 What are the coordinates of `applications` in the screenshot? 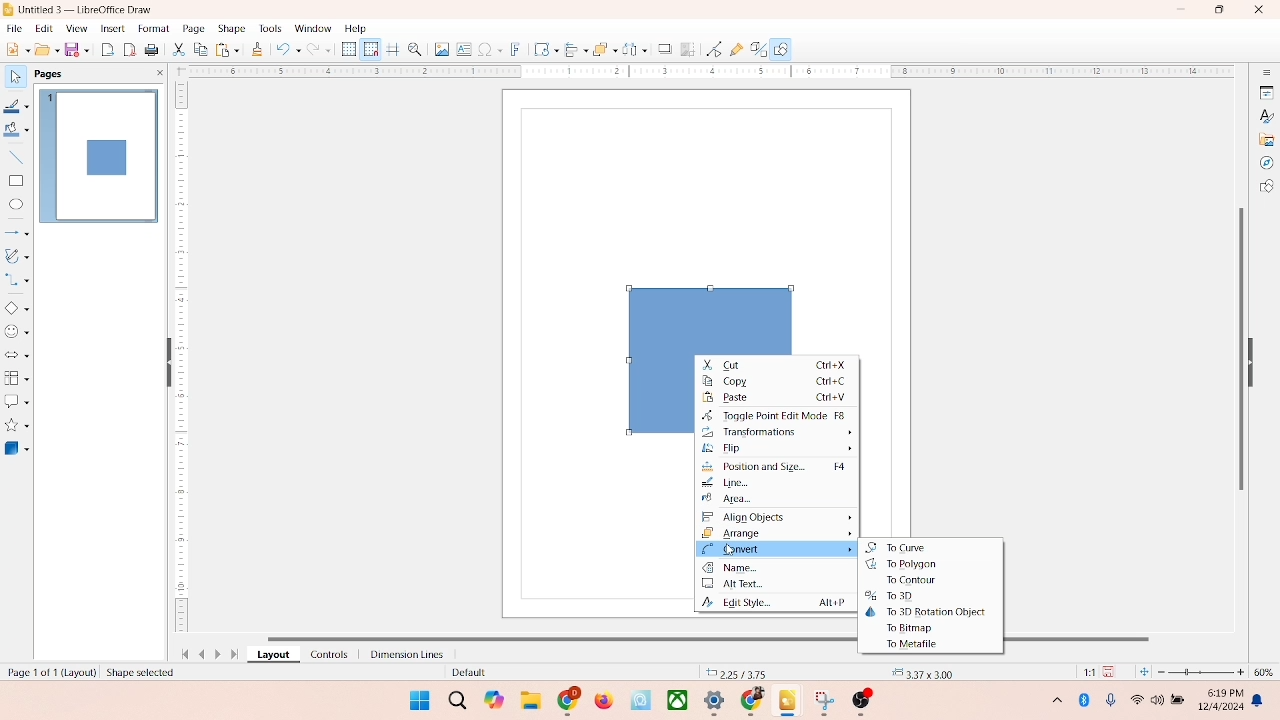 It's located at (721, 702).